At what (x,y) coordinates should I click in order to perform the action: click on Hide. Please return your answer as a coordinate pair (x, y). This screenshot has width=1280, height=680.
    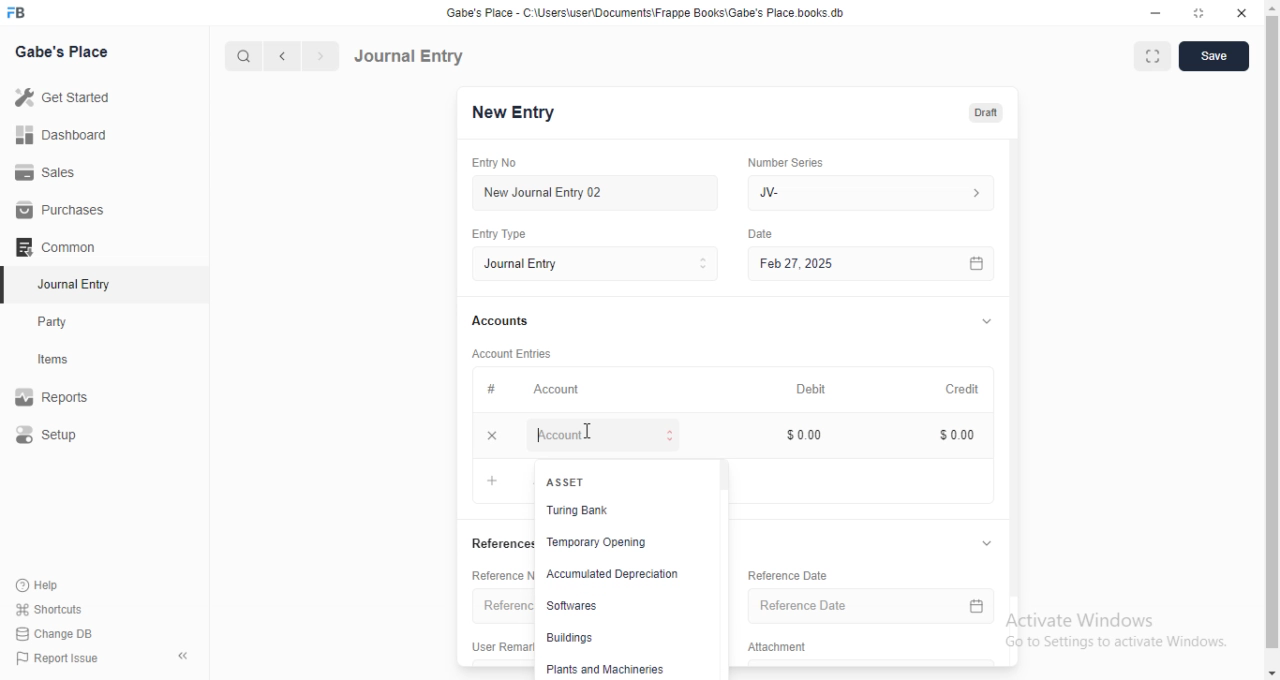
    Looking at the image, I should click on (990, 544).